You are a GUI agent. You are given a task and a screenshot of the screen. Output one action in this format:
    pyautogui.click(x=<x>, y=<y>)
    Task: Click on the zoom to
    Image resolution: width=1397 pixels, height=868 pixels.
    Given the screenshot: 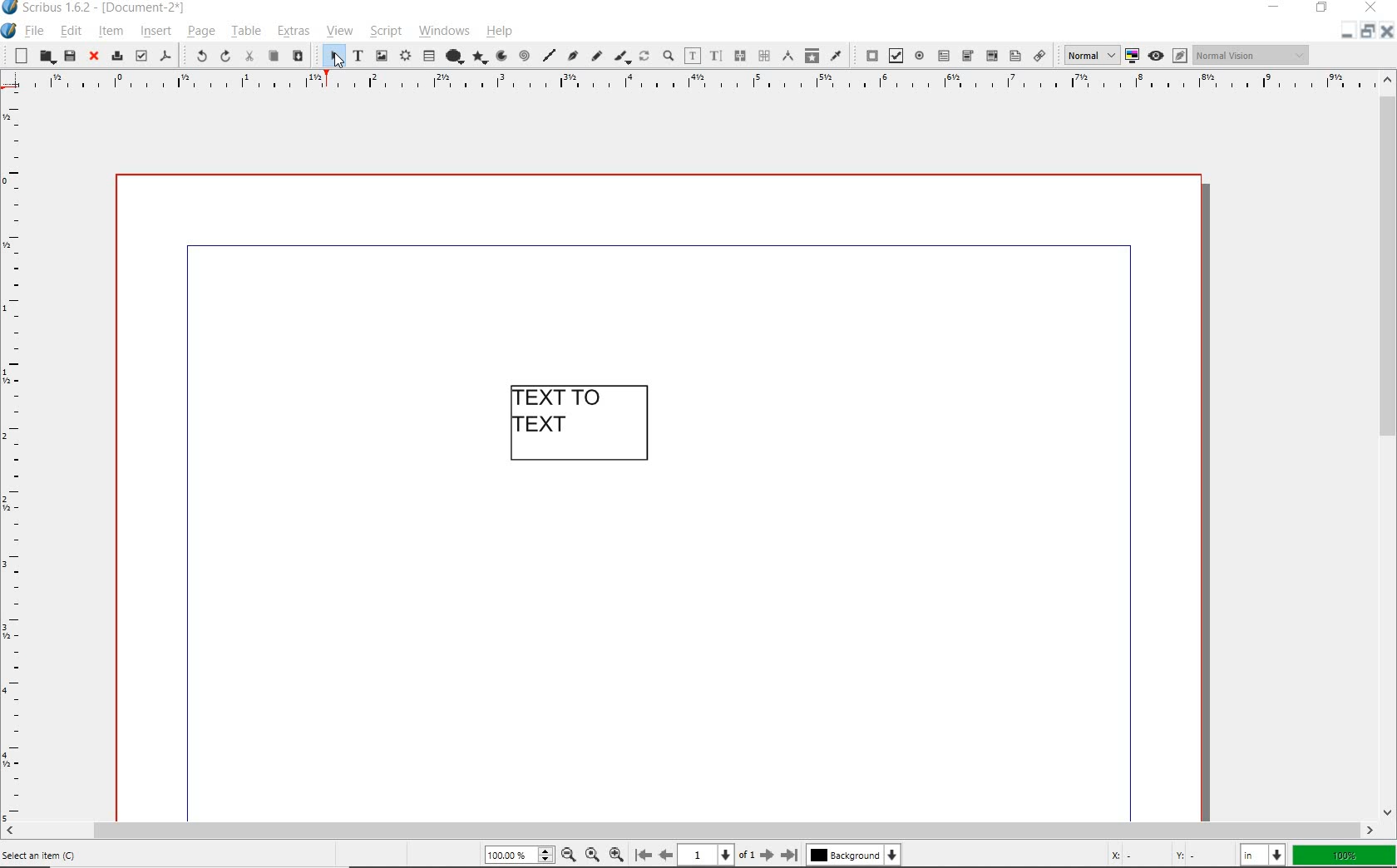 What is the action you would take?
    pyautogui.click(x=595, y=855)
    